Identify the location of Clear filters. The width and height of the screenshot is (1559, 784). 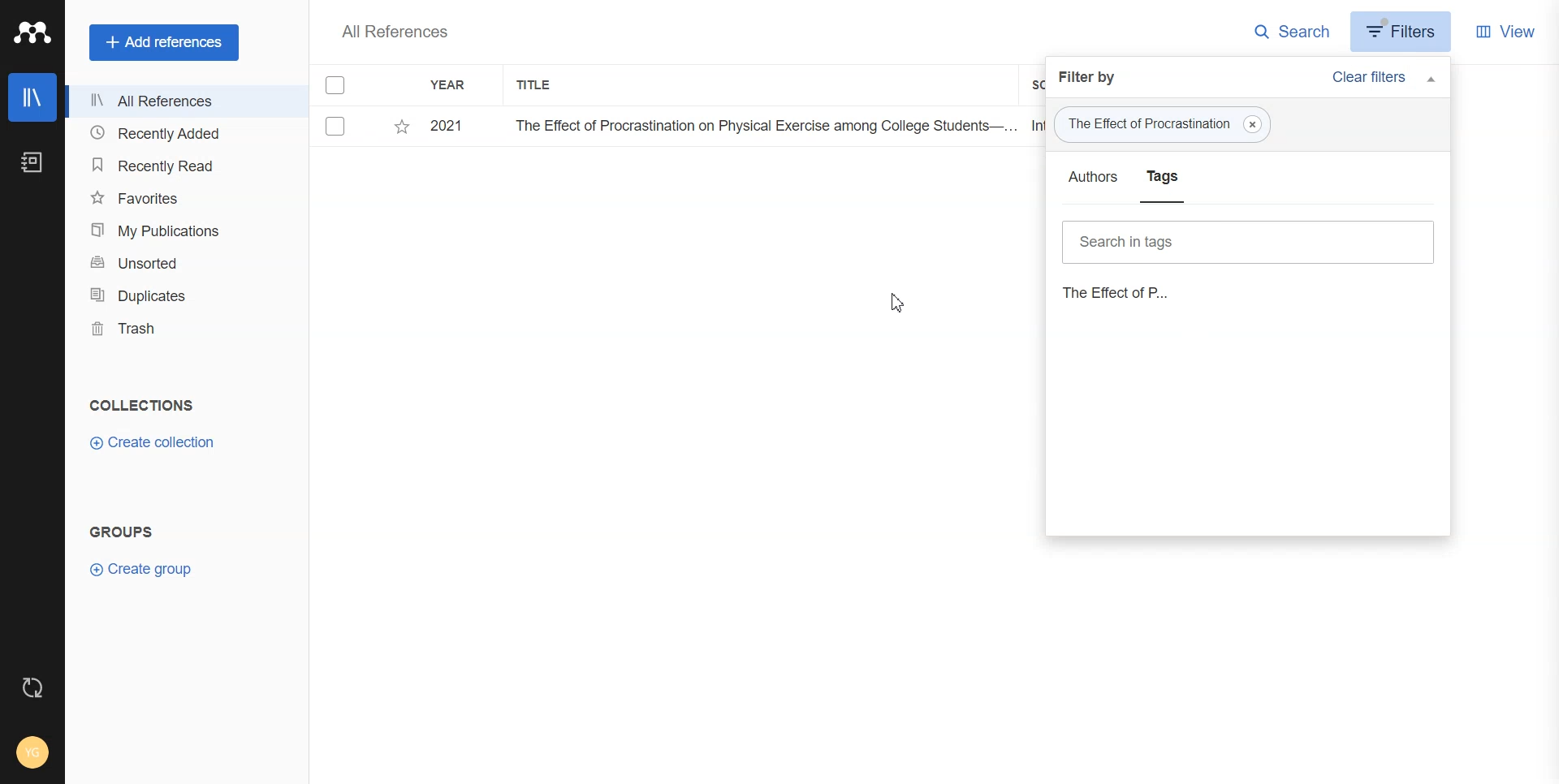
(1385, 78).